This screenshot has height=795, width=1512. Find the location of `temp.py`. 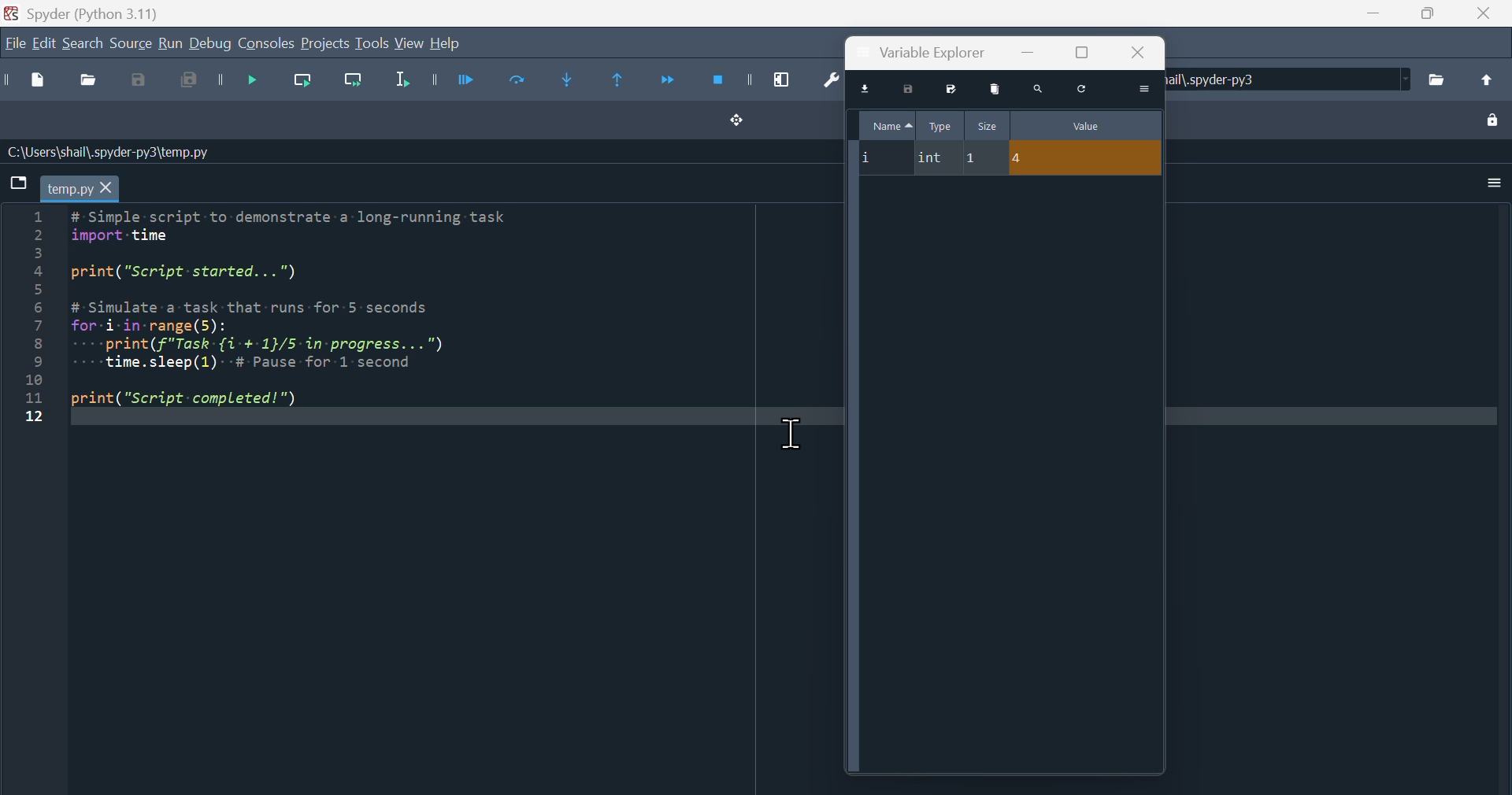

temp.py is located at coordinates (80, 188).